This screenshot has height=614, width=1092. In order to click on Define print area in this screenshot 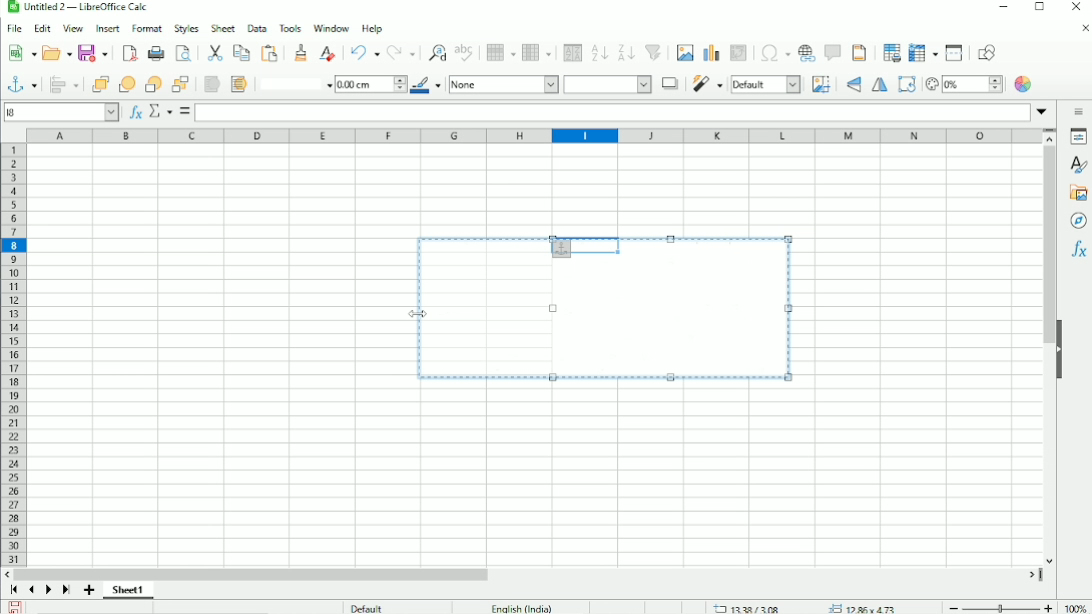, I will do `click(888, 53)`.